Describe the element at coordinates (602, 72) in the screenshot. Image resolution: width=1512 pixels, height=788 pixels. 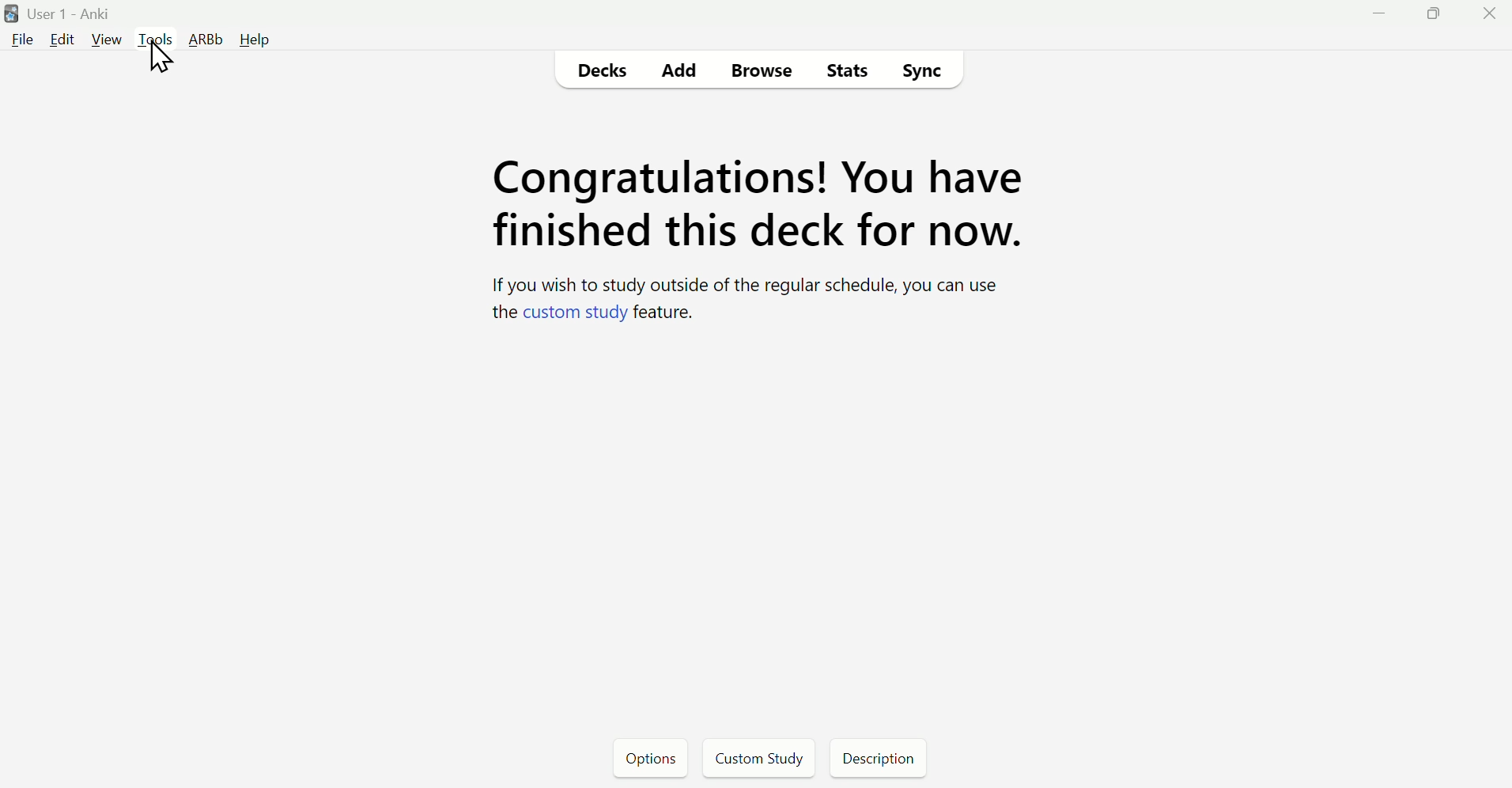
I see `Decks` at that location.